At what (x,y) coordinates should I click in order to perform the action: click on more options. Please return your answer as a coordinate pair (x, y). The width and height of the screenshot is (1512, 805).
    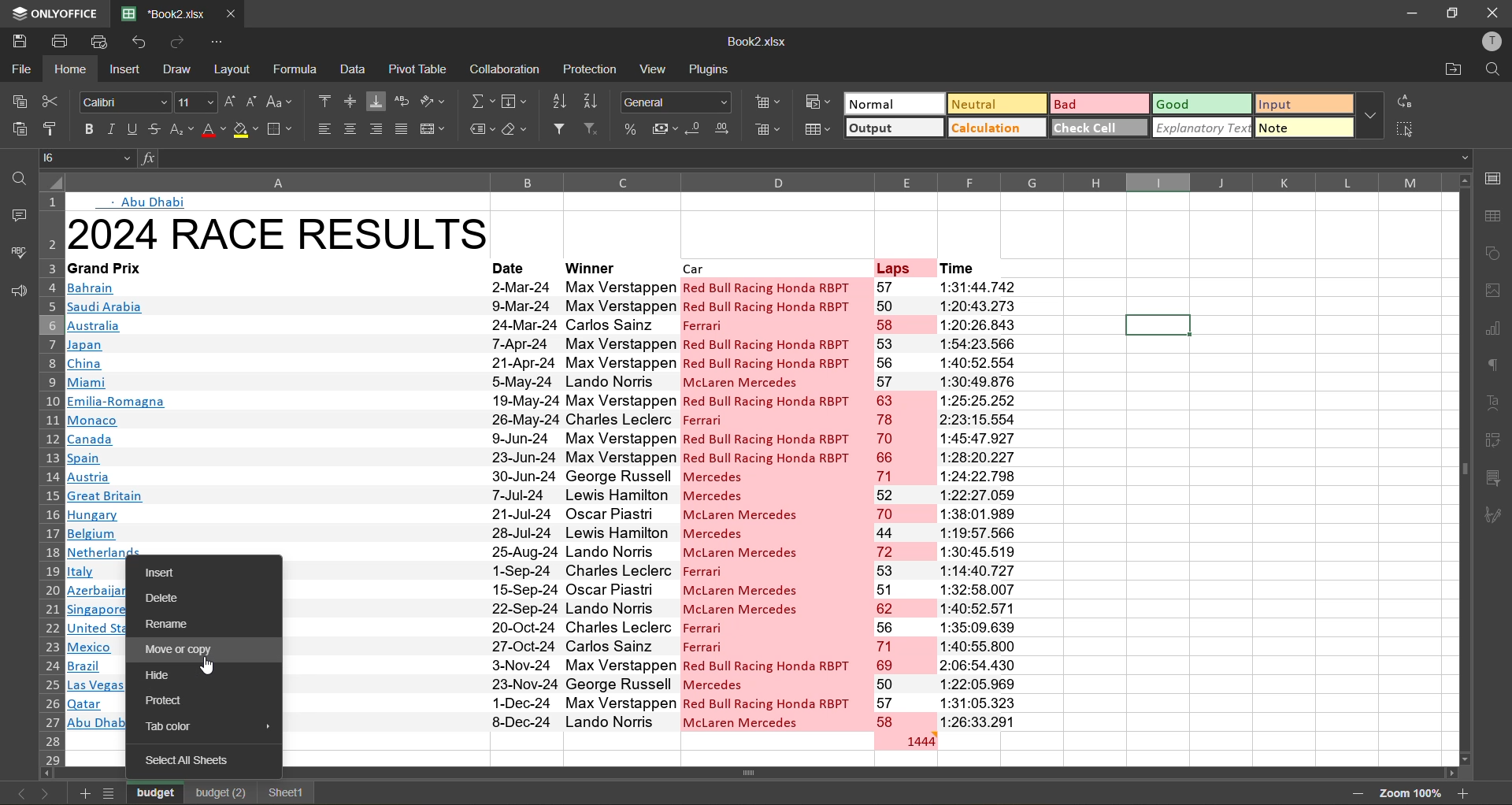
    Looking at the image, I should click on (1369, 116).